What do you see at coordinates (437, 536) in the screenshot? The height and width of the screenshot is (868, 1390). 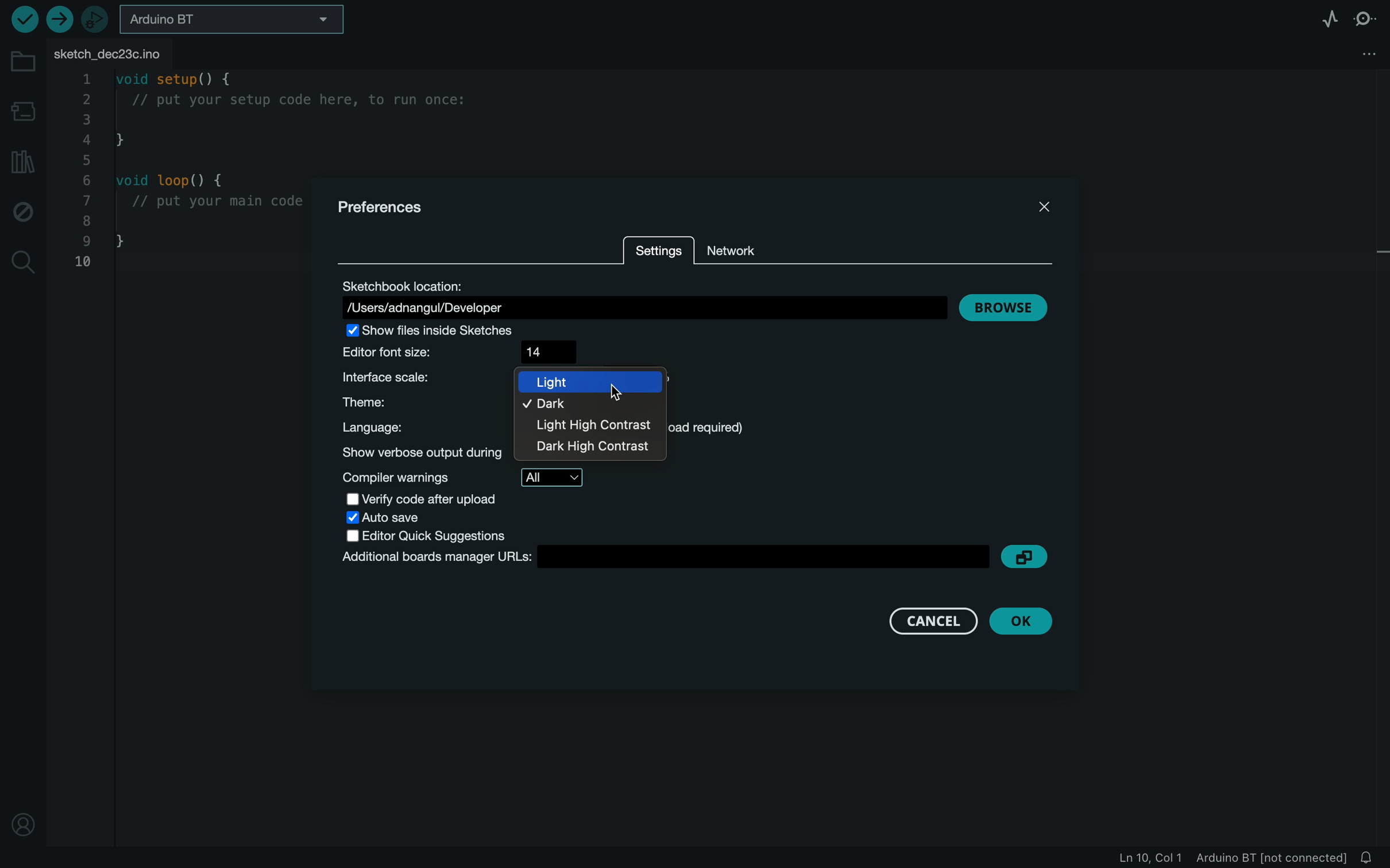 I see `editor` at bounding box center [437, 536].